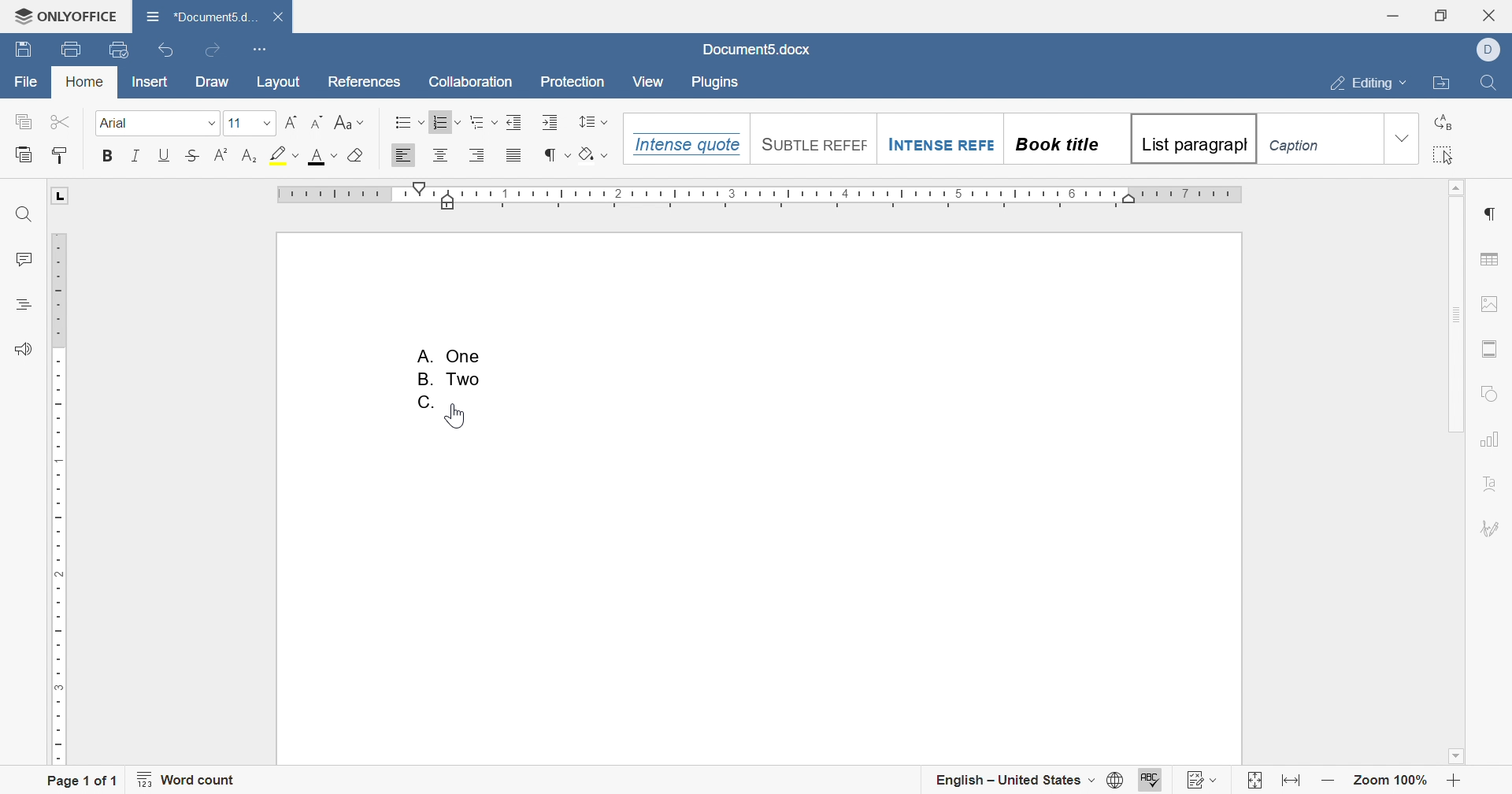  Describe the element at coordinates (1028, 781) in the screenshot. I see `english - United States` at that location.